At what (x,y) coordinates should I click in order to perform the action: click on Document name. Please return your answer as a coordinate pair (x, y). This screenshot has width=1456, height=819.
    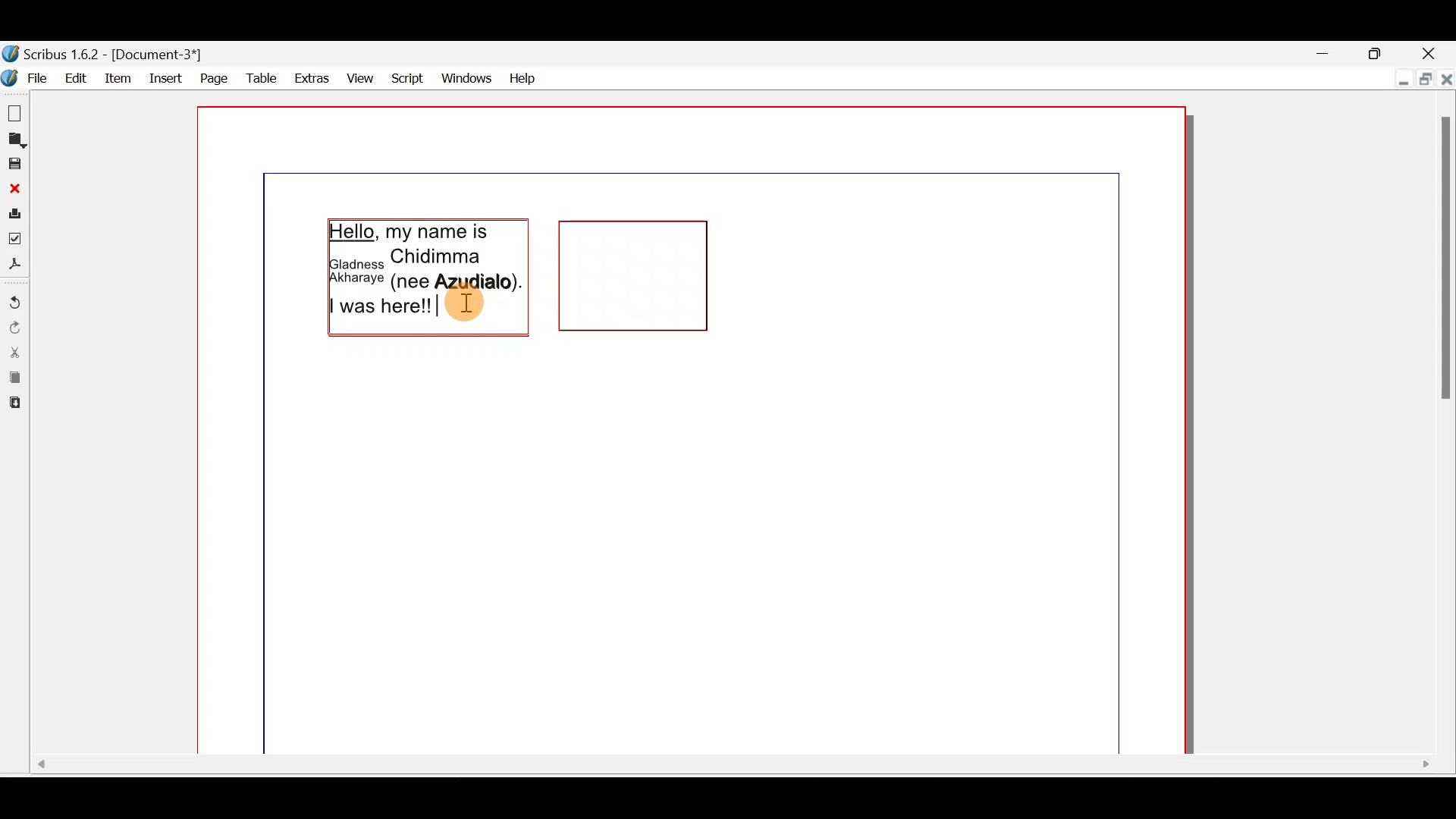
    Looking at the image, I should click on (115, 54).